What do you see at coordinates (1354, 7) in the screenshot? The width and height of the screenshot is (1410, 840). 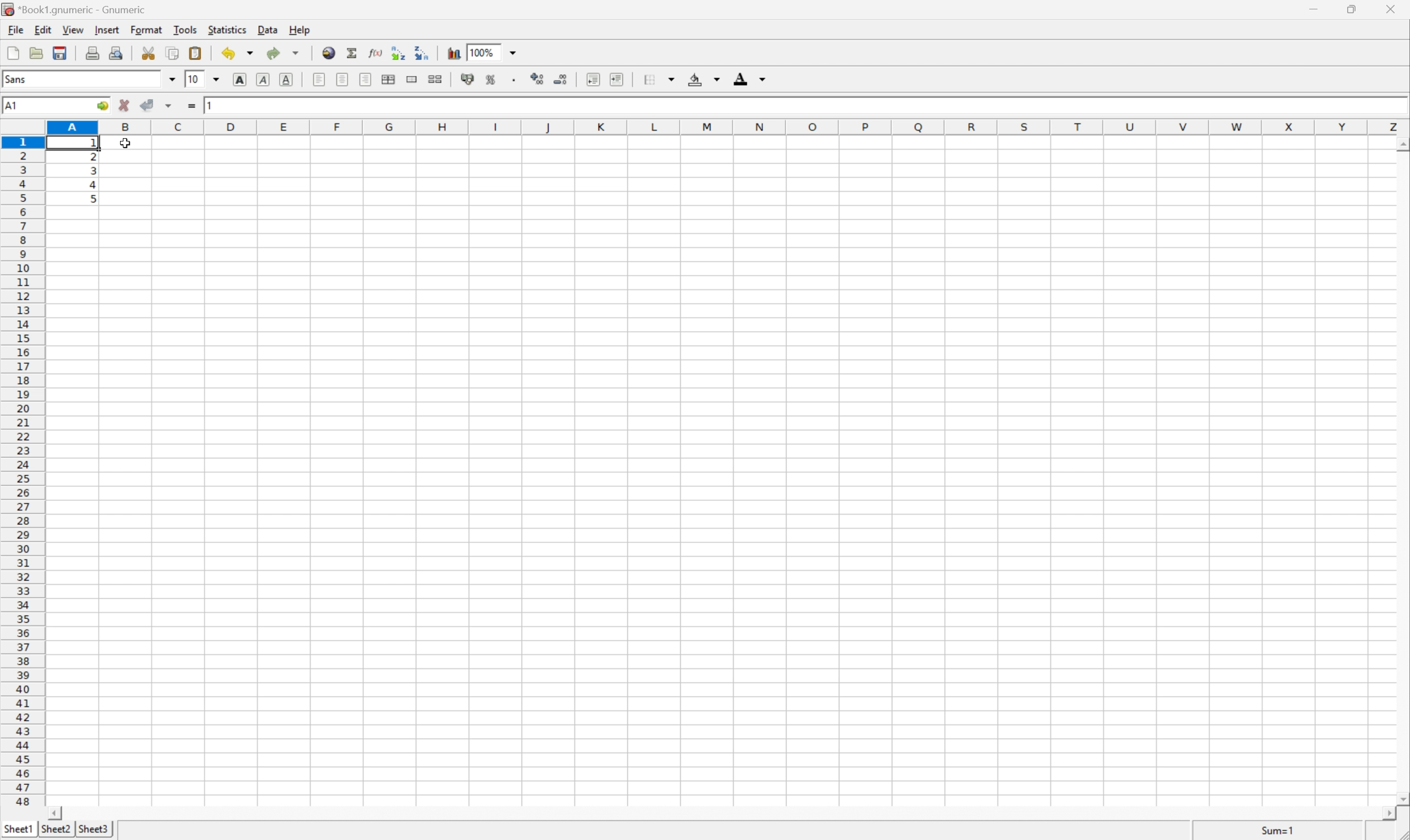 I see `Restore Down` at bounding box center [1354, 7].